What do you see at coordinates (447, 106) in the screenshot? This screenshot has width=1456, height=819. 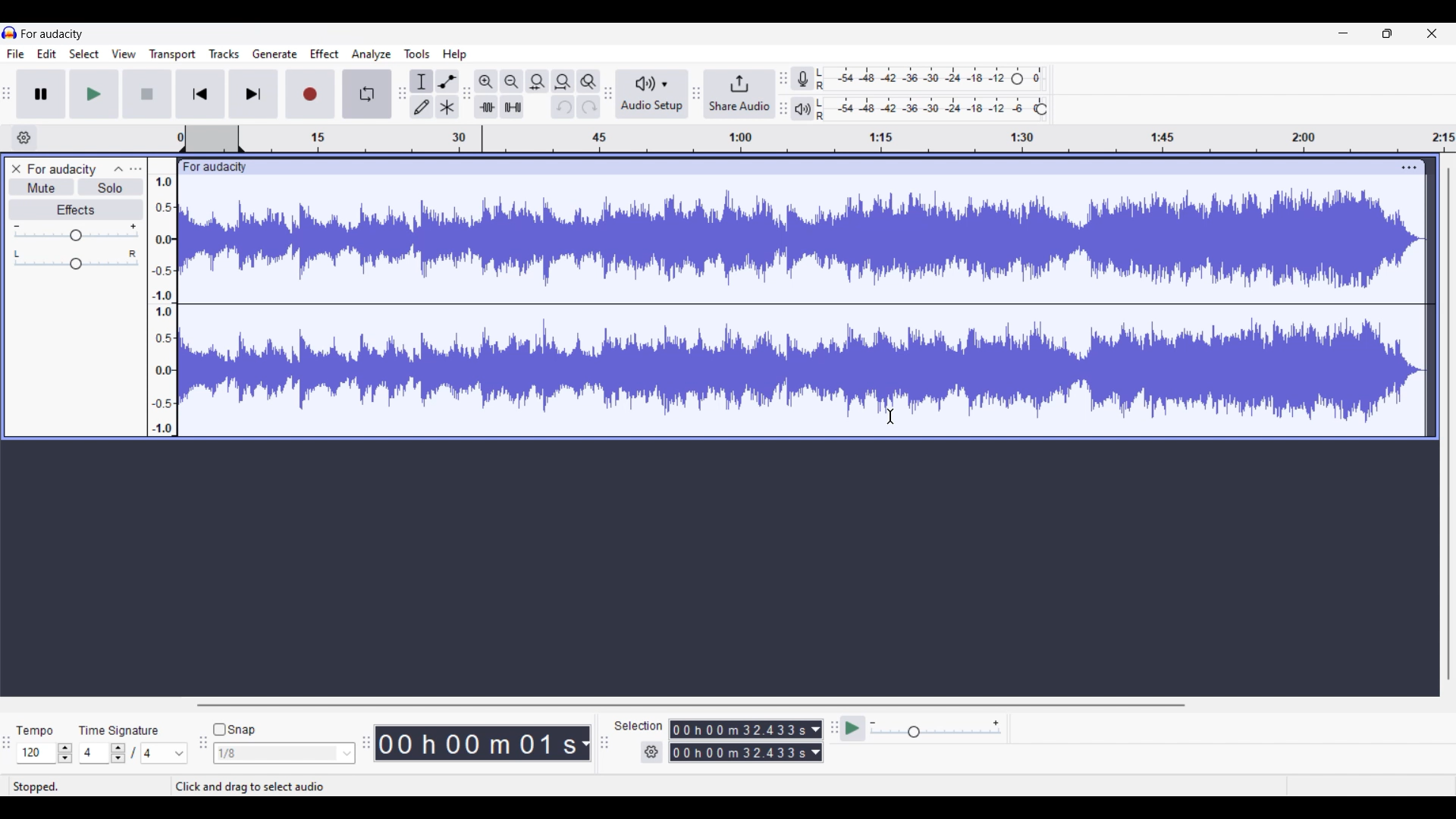 I see `Multi-tool` at bounding box center [447, 106].